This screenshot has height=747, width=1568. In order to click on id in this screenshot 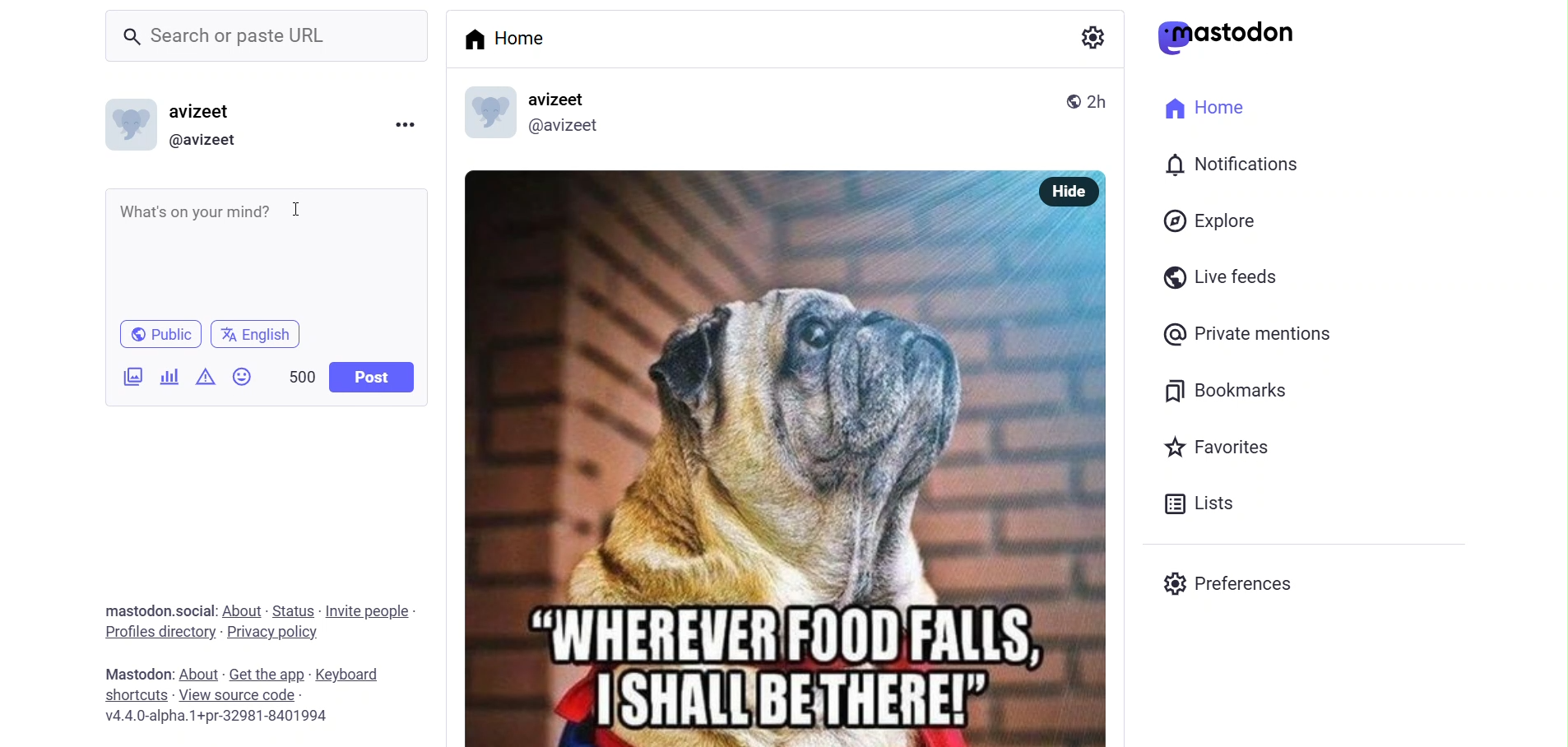, I will do `click(573, 130)`.